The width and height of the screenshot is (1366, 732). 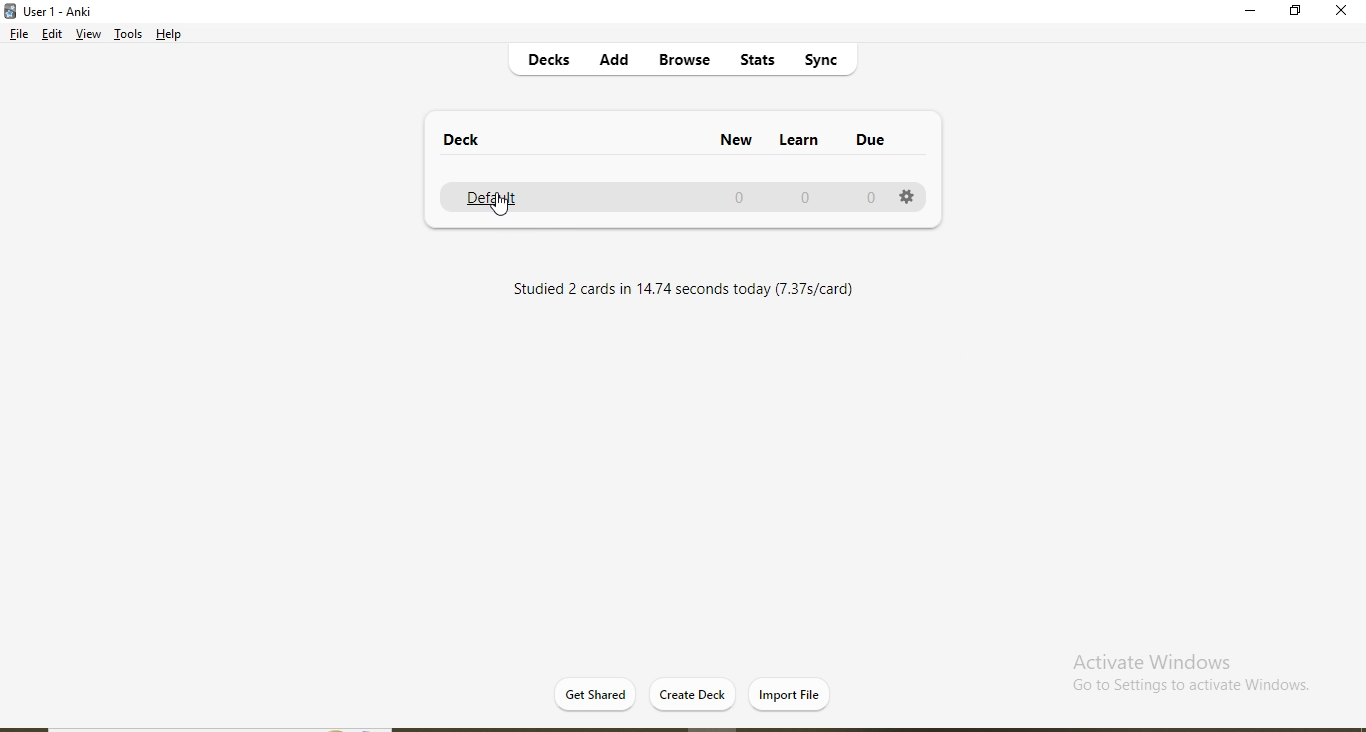 What do you see at coordinates (53, 36) in the screenshot?
I see `edit` at bounding box center [53, 36].